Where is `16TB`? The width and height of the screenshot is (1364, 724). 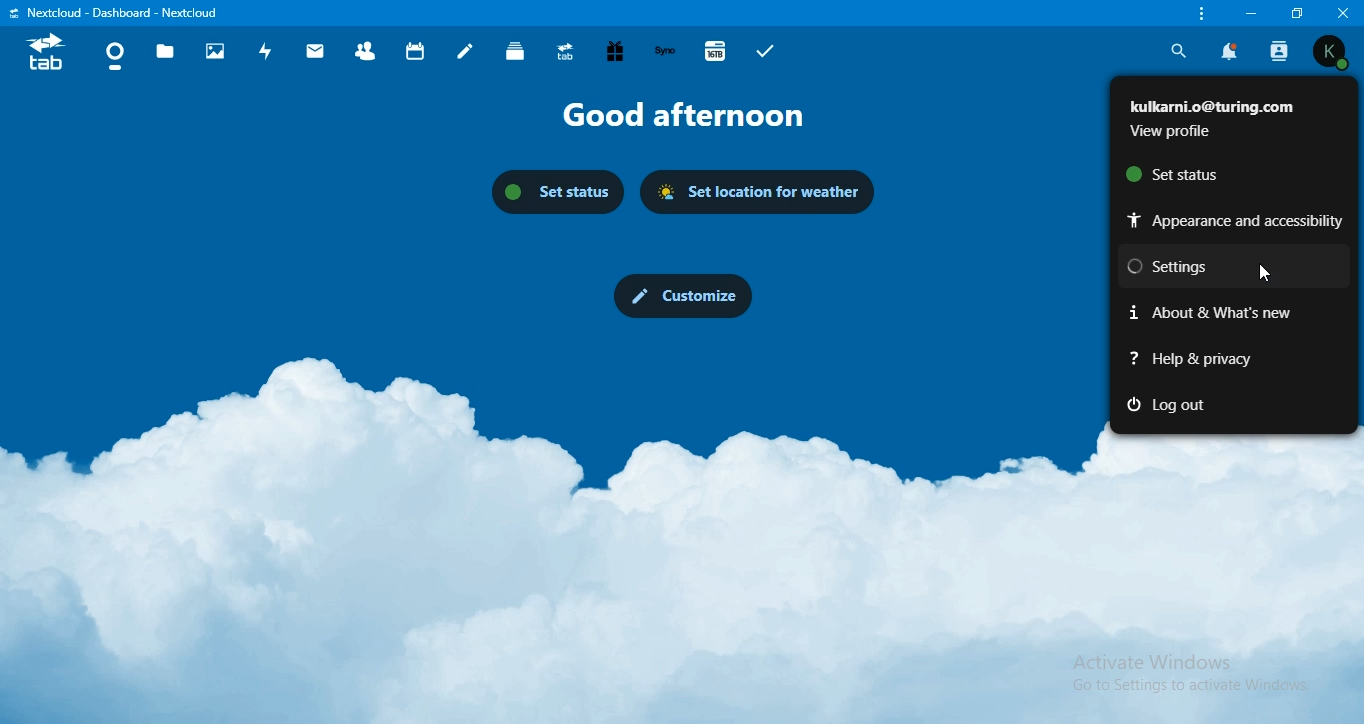 16TB is located at coordinates (717, 50).